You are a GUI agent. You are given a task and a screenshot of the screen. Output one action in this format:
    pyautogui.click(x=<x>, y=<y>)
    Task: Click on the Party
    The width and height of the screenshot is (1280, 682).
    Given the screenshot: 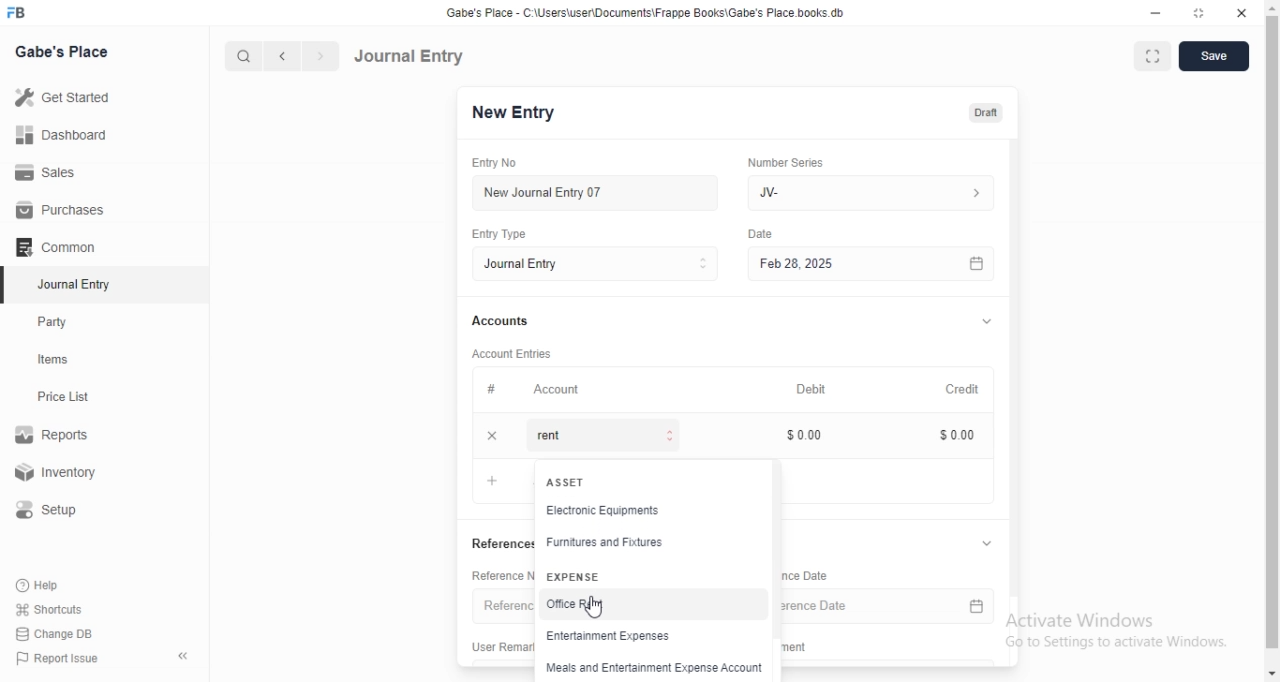 What is the action you would take?
    pyautogui.click(x=57, y=322)
    